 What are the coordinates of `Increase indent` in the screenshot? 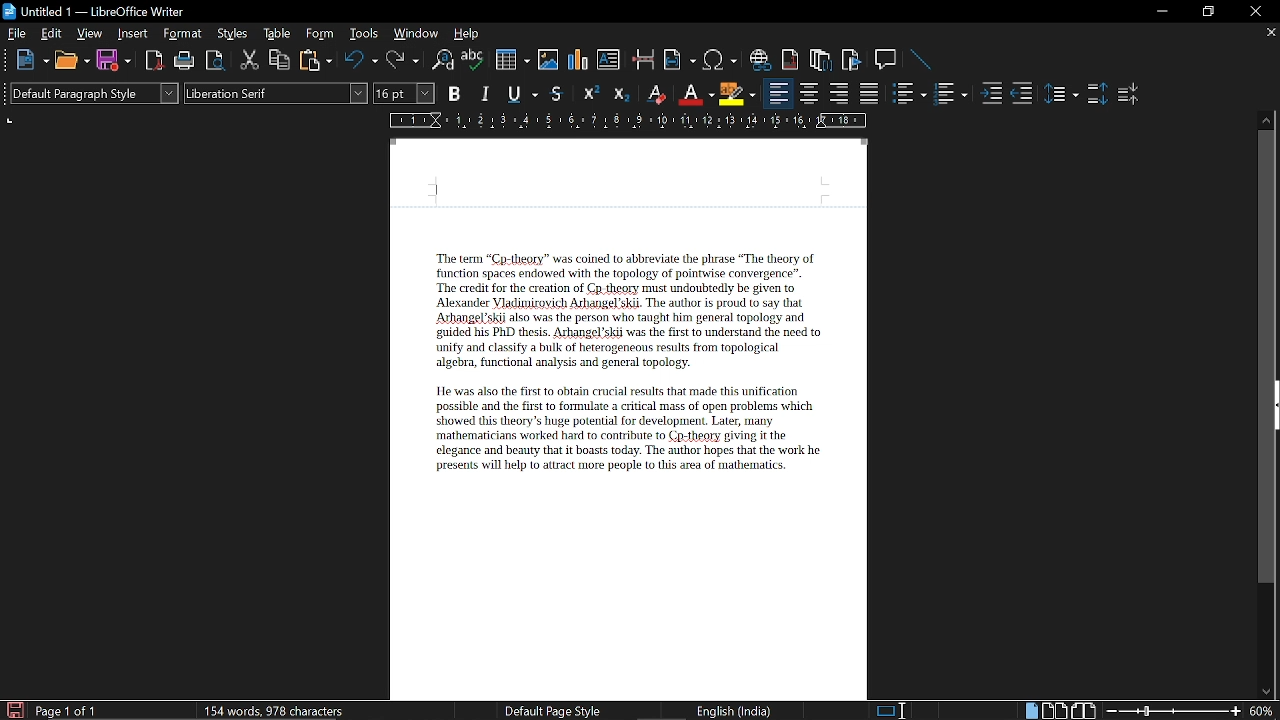 It's located at (990, 93).